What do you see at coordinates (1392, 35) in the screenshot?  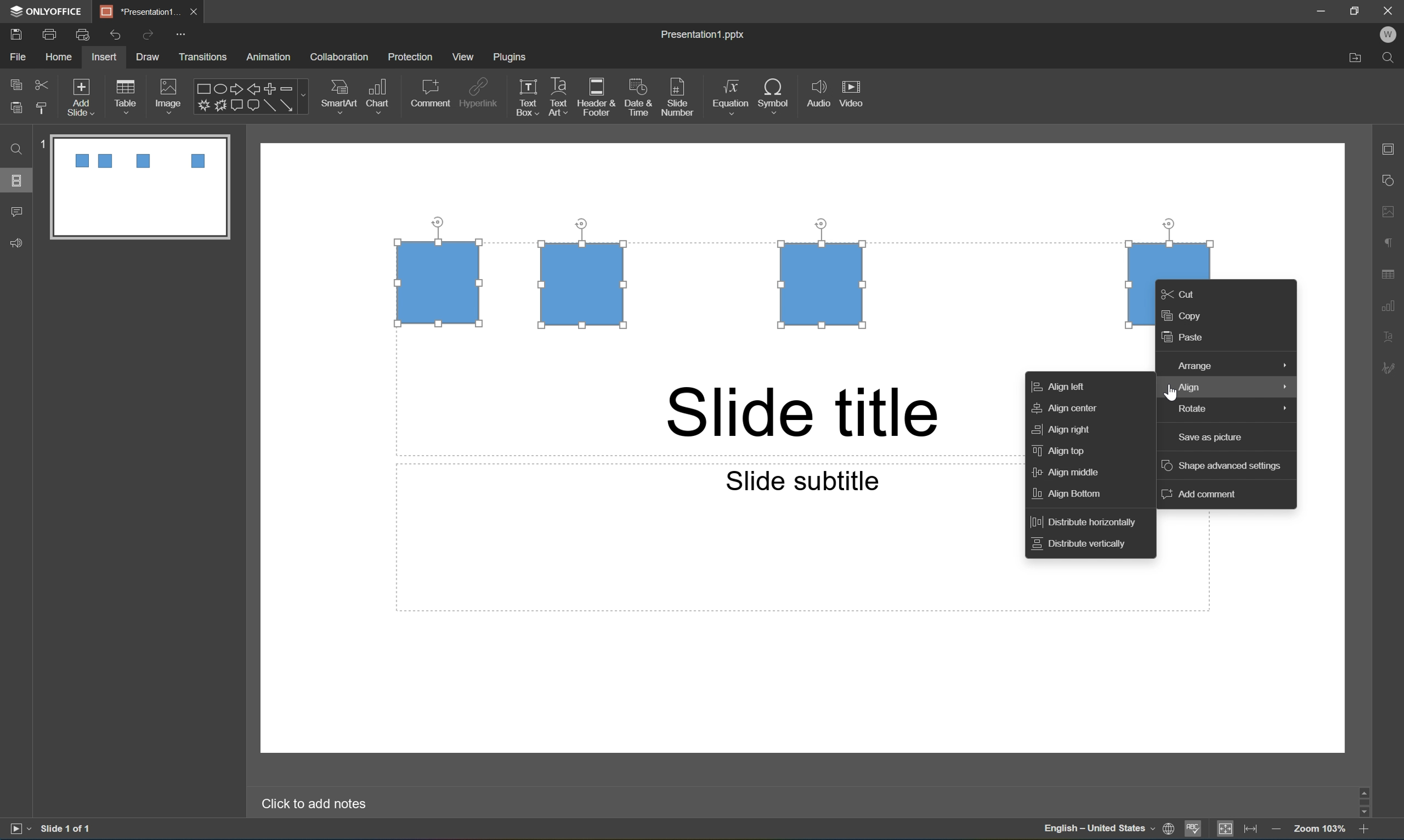 I see `W` at bounding box center [1392, 35].